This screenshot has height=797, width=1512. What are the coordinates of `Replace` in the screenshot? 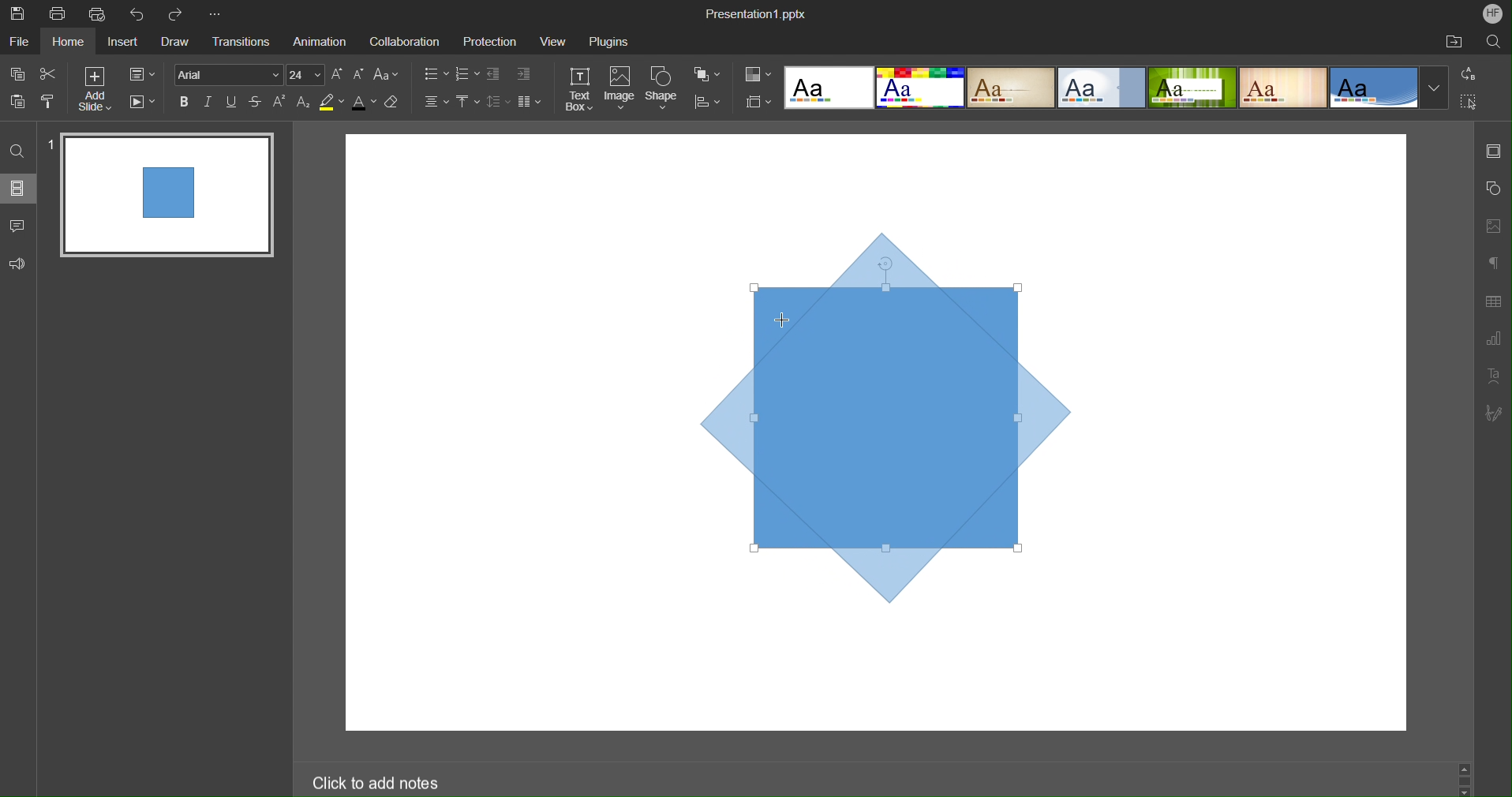 It's located at (1469, 74).